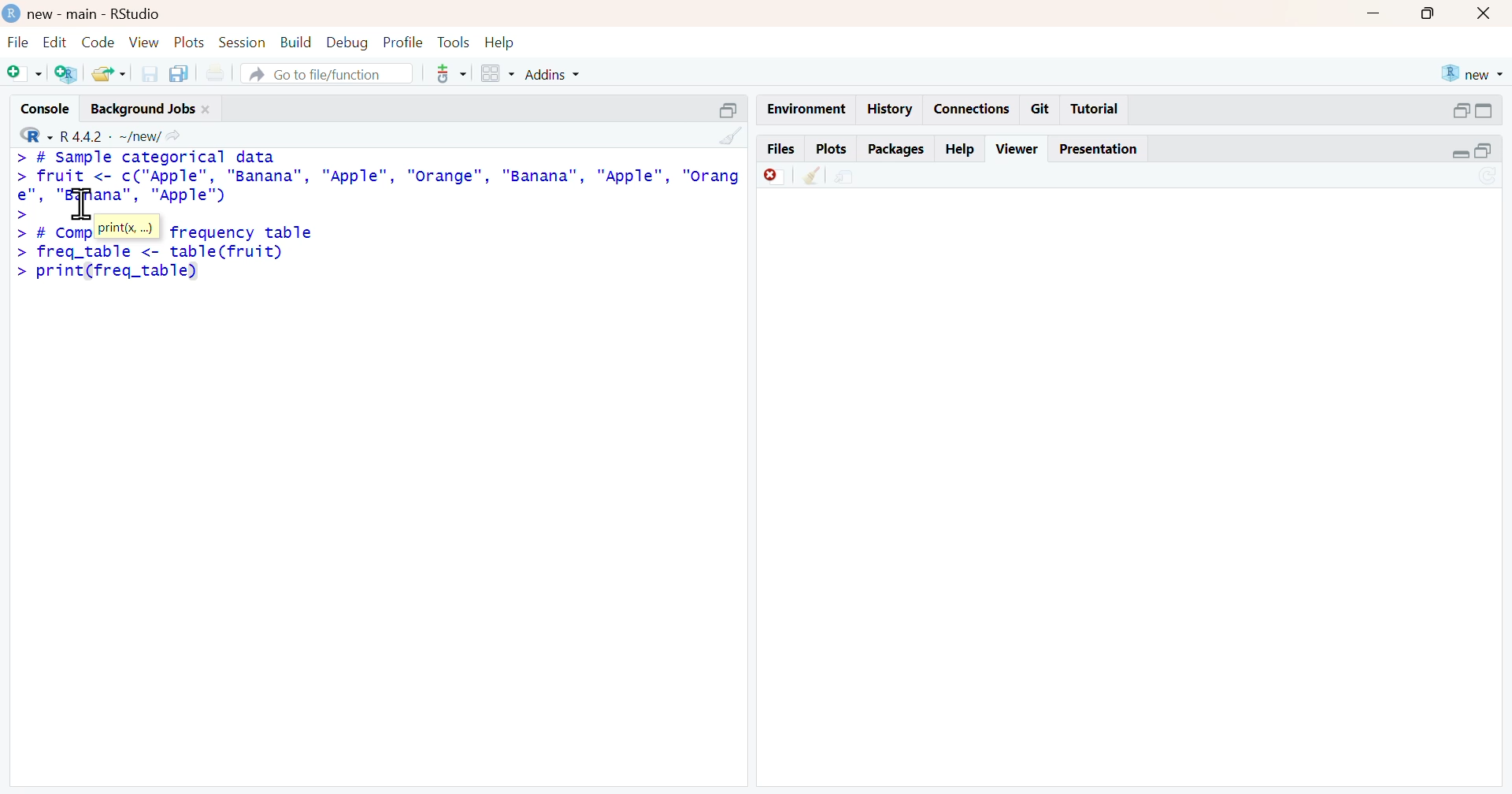 The height and width of the screenshot is (794, 1512). What do you see at coordinates (836, 149) in the screenshot?
I see `plots` at bounding box center [836, 149].